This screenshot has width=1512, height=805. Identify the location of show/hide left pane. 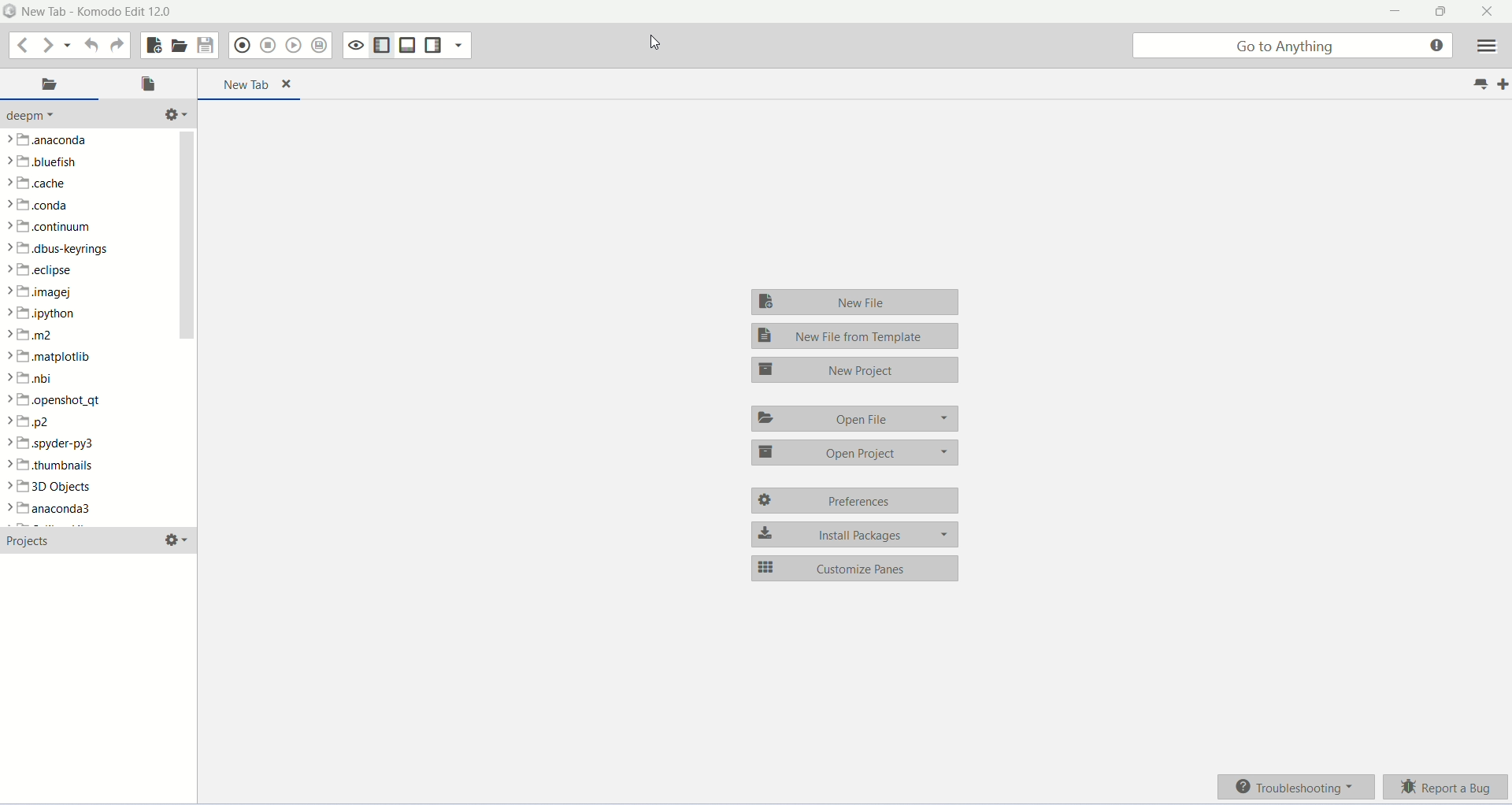
(381, 44).